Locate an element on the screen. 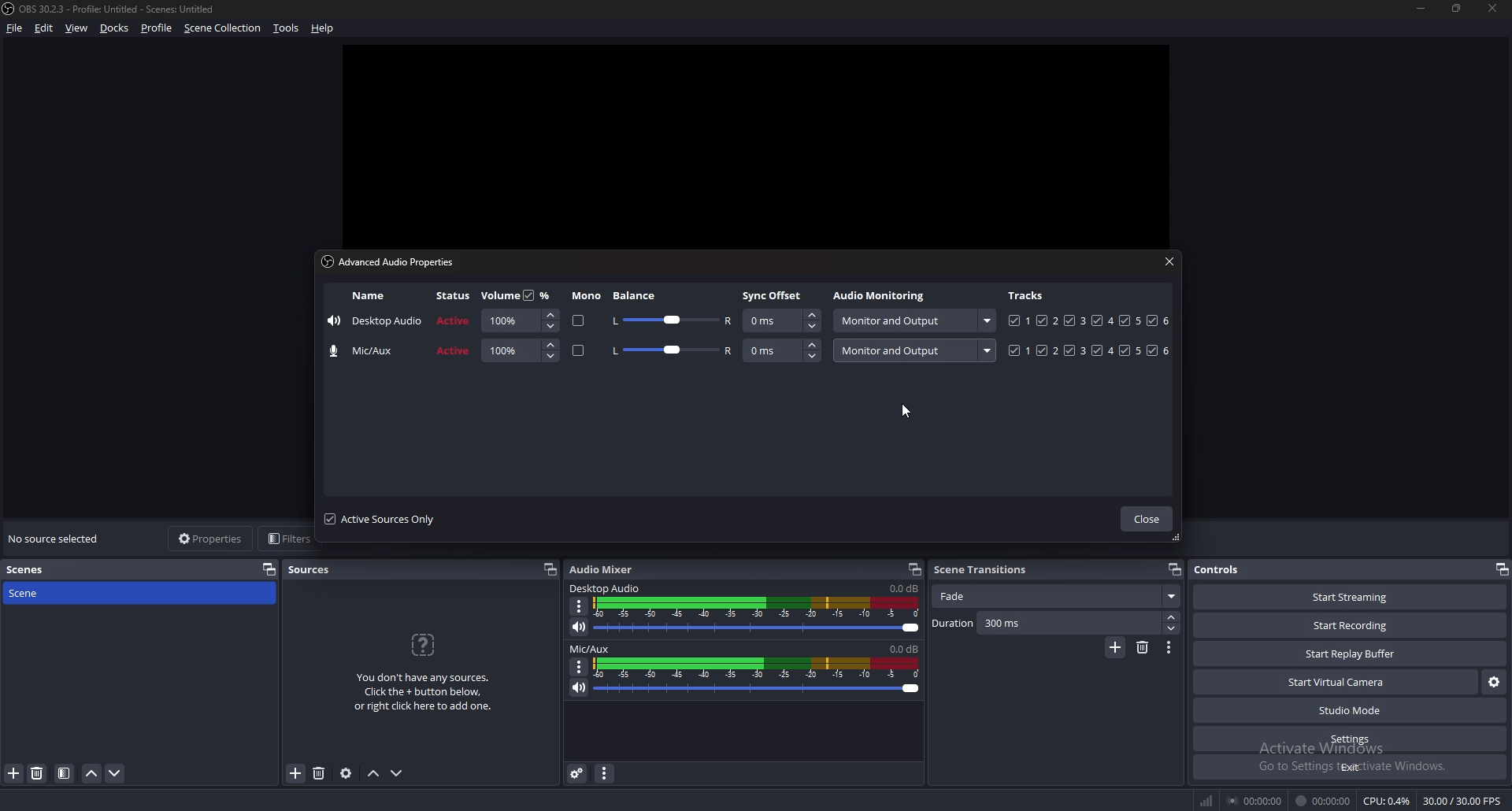 This screenshot has width=1512, height=811. status is located at coordinates (454, 320).